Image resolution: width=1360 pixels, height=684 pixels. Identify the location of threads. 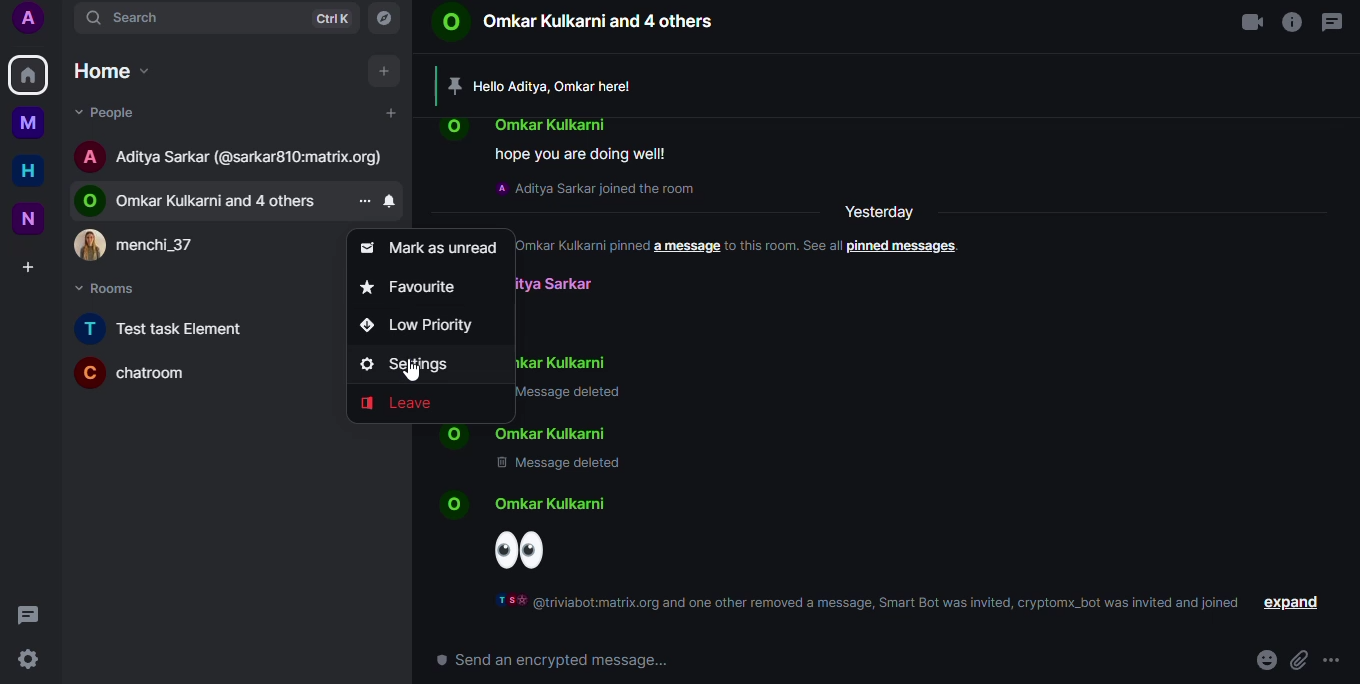
(32, 617).